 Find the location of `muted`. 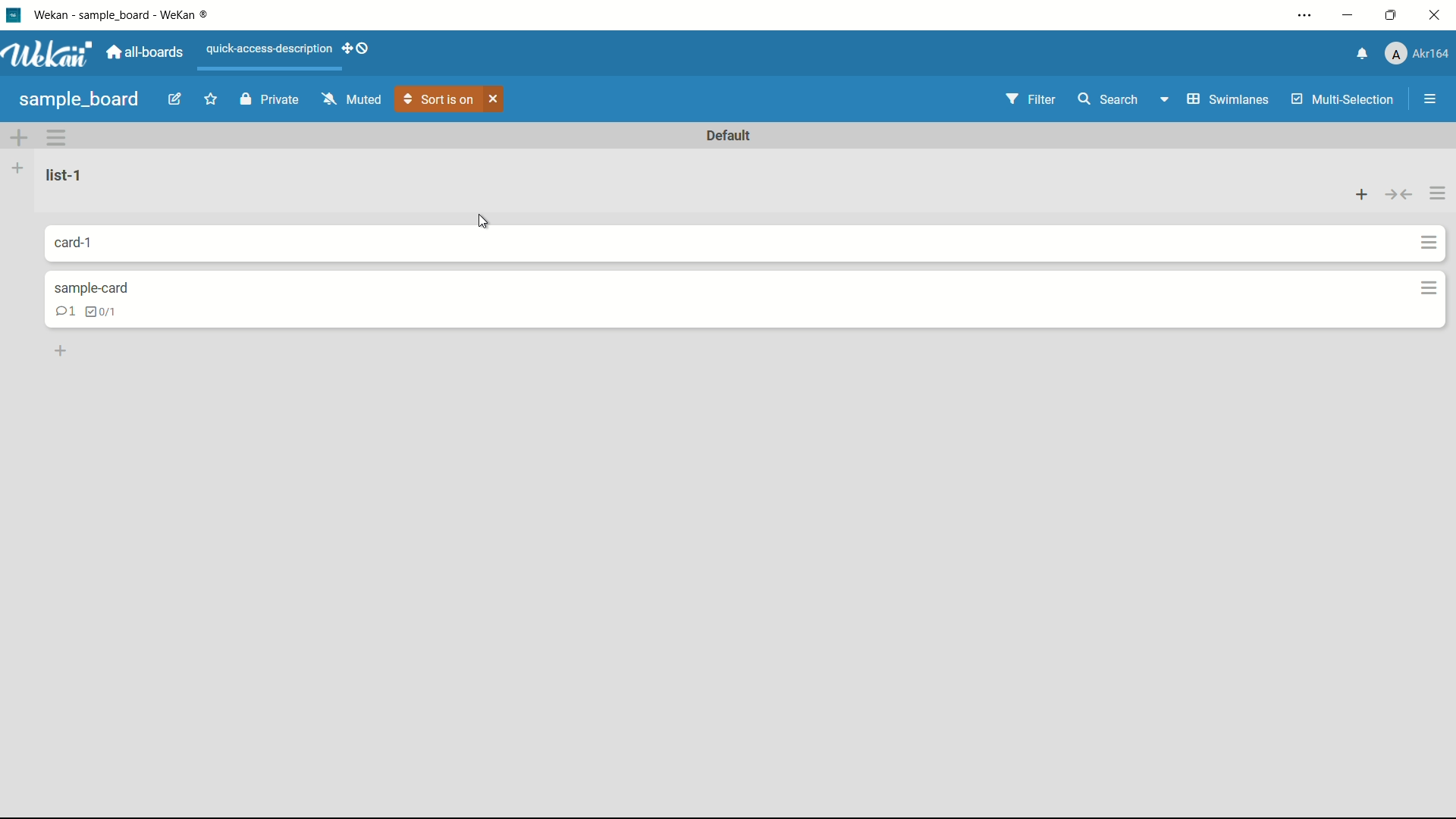

muted is located at coordinates (353, 99).